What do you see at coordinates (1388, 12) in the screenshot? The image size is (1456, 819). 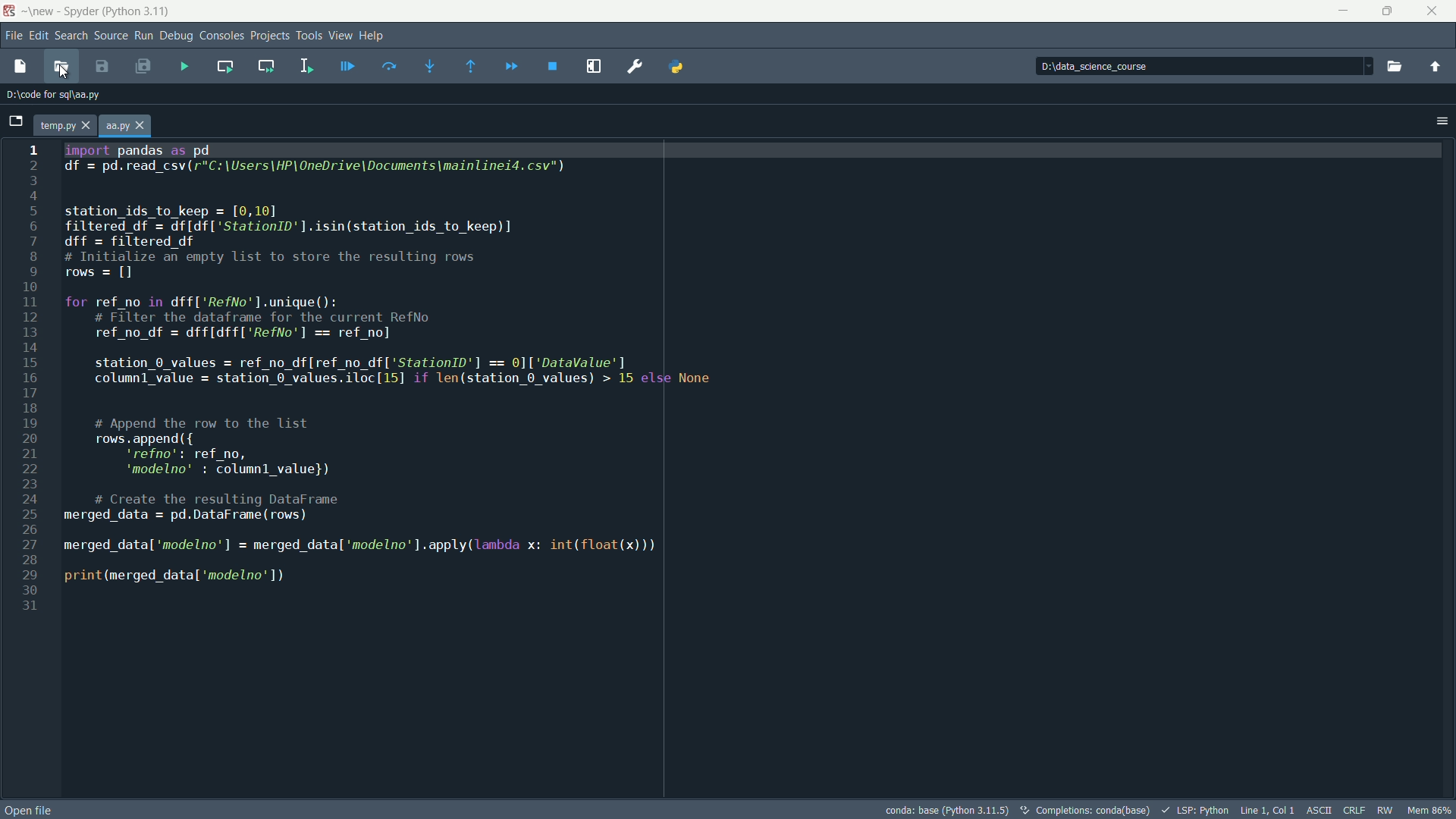 I see `Maximize` at bounding box center [1388, 12].